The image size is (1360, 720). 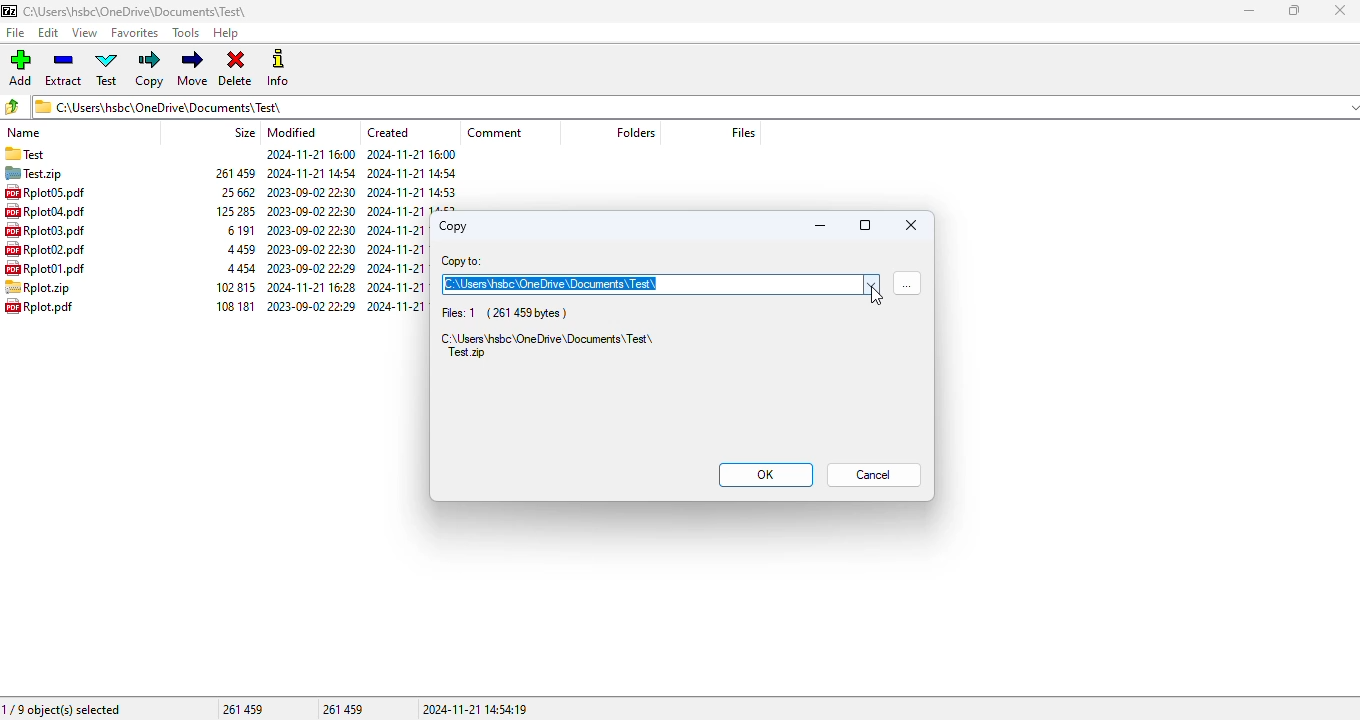 What do you see at coordinates (388, 131) in the screenshot?
I see `created` at bounding box center [388, 131].